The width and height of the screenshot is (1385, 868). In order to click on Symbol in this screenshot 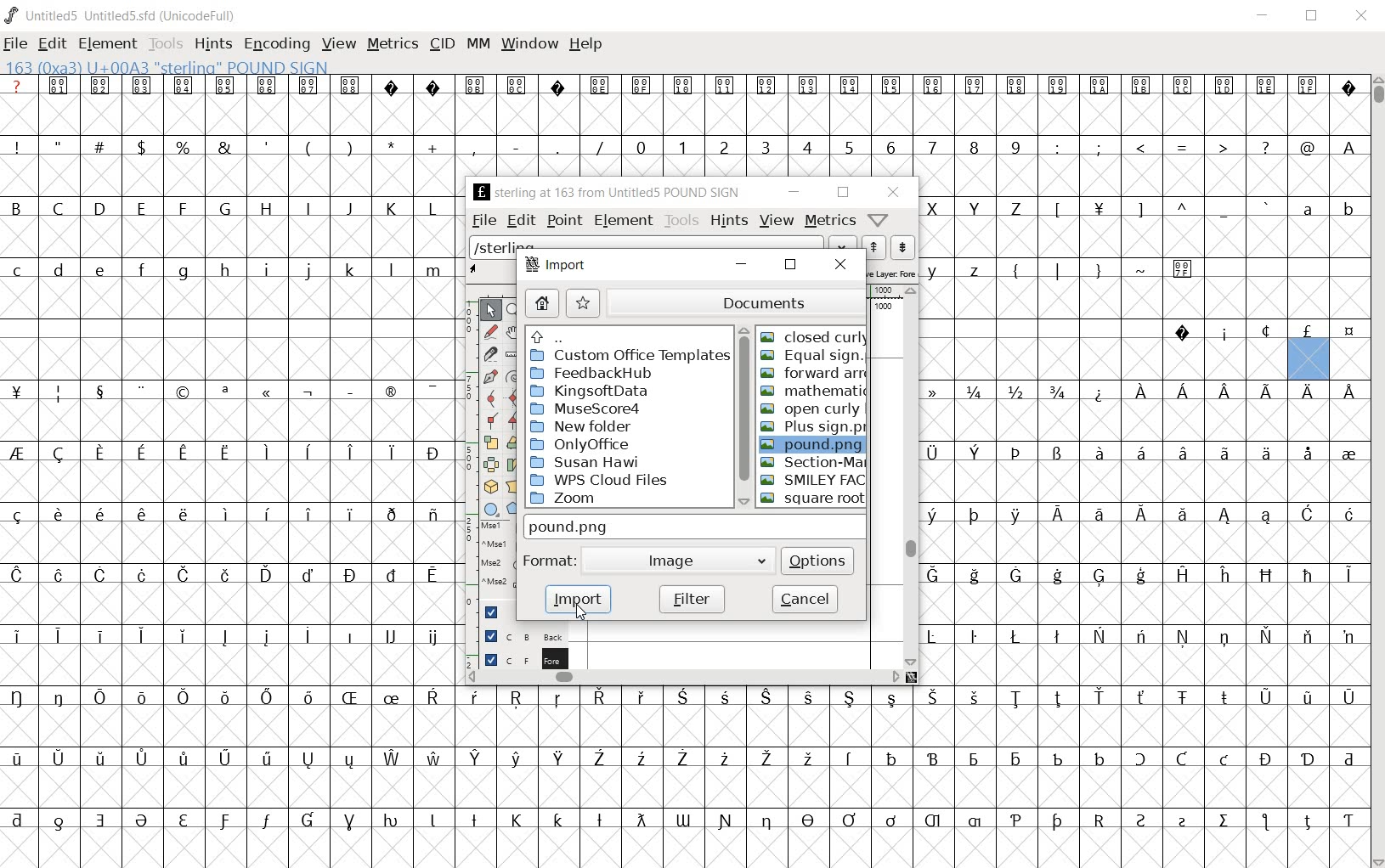, I will do `click(938, 637)`.